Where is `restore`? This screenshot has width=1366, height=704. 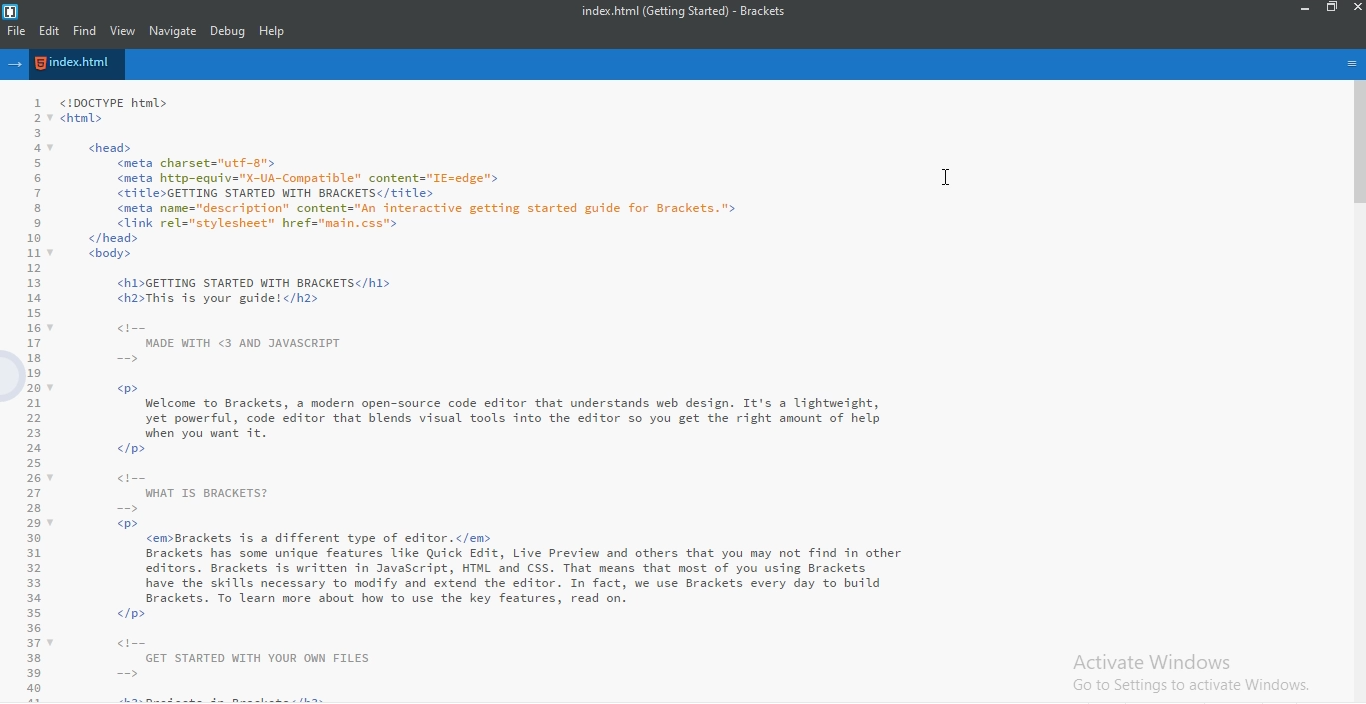
restore is located at coordinates (1333, 8).